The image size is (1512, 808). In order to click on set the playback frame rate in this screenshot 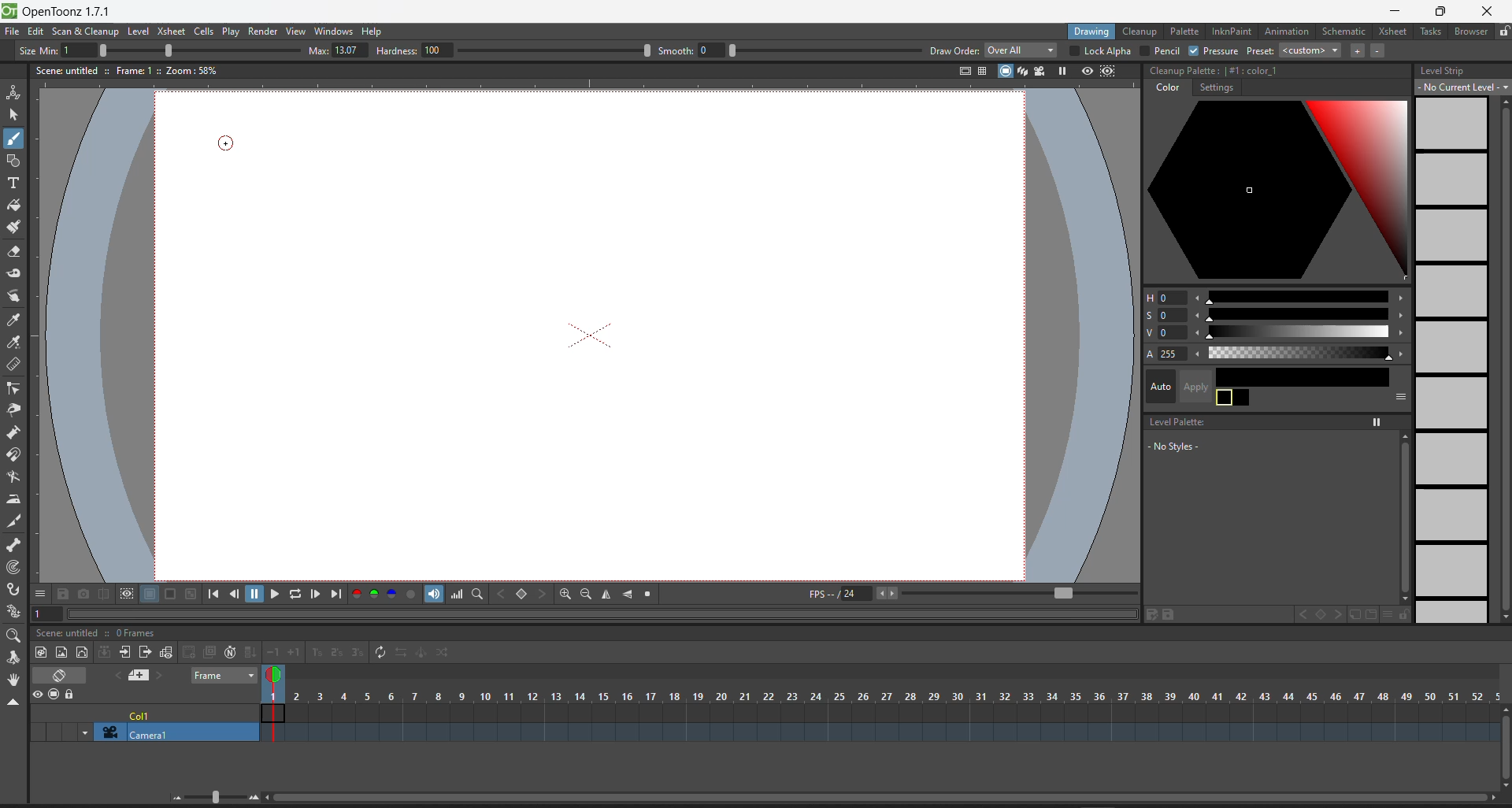, I will do `click(1010, 593)`.